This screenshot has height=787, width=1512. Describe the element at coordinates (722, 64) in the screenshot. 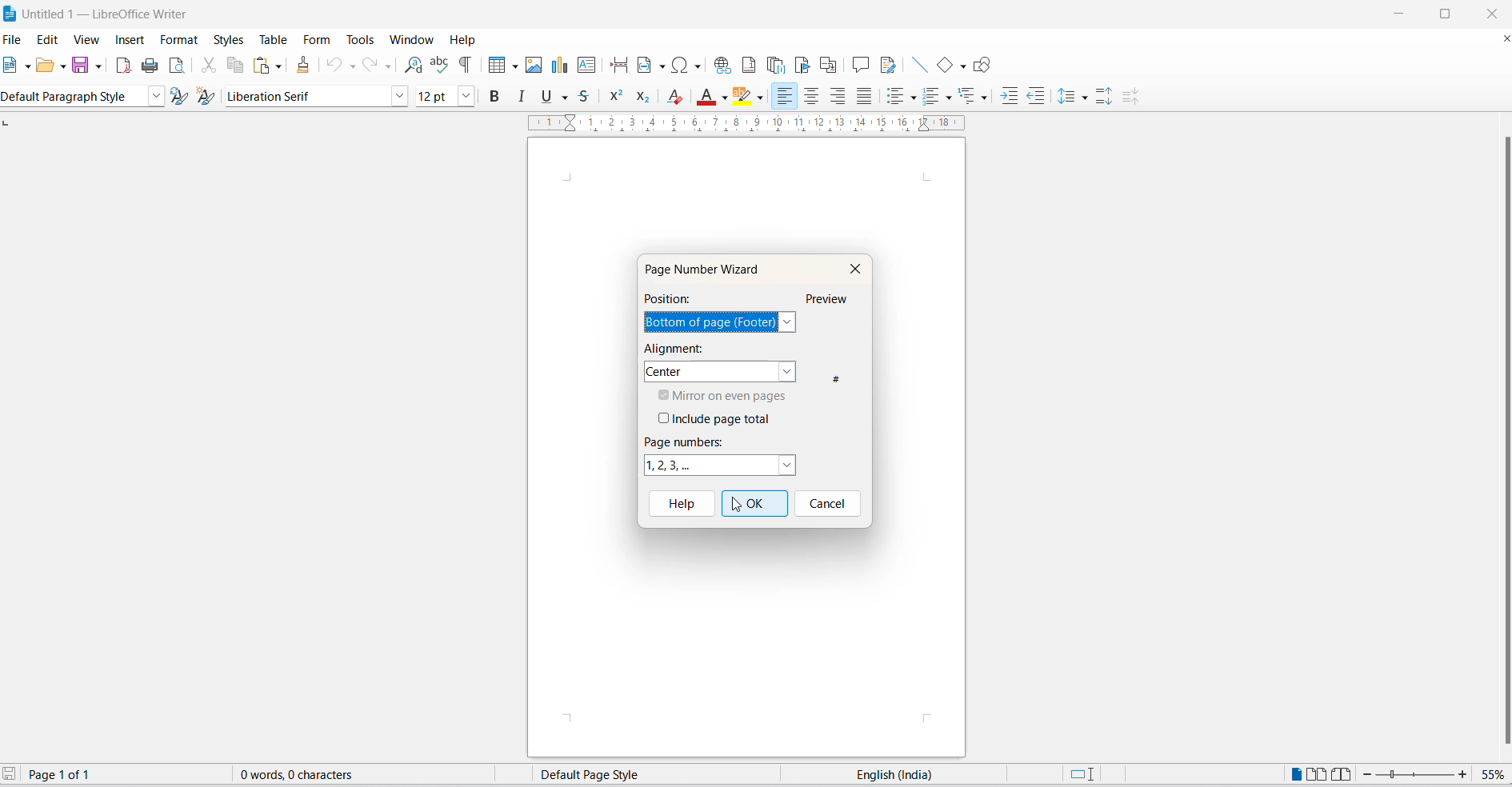

I see `insert hyperlink` at that location.